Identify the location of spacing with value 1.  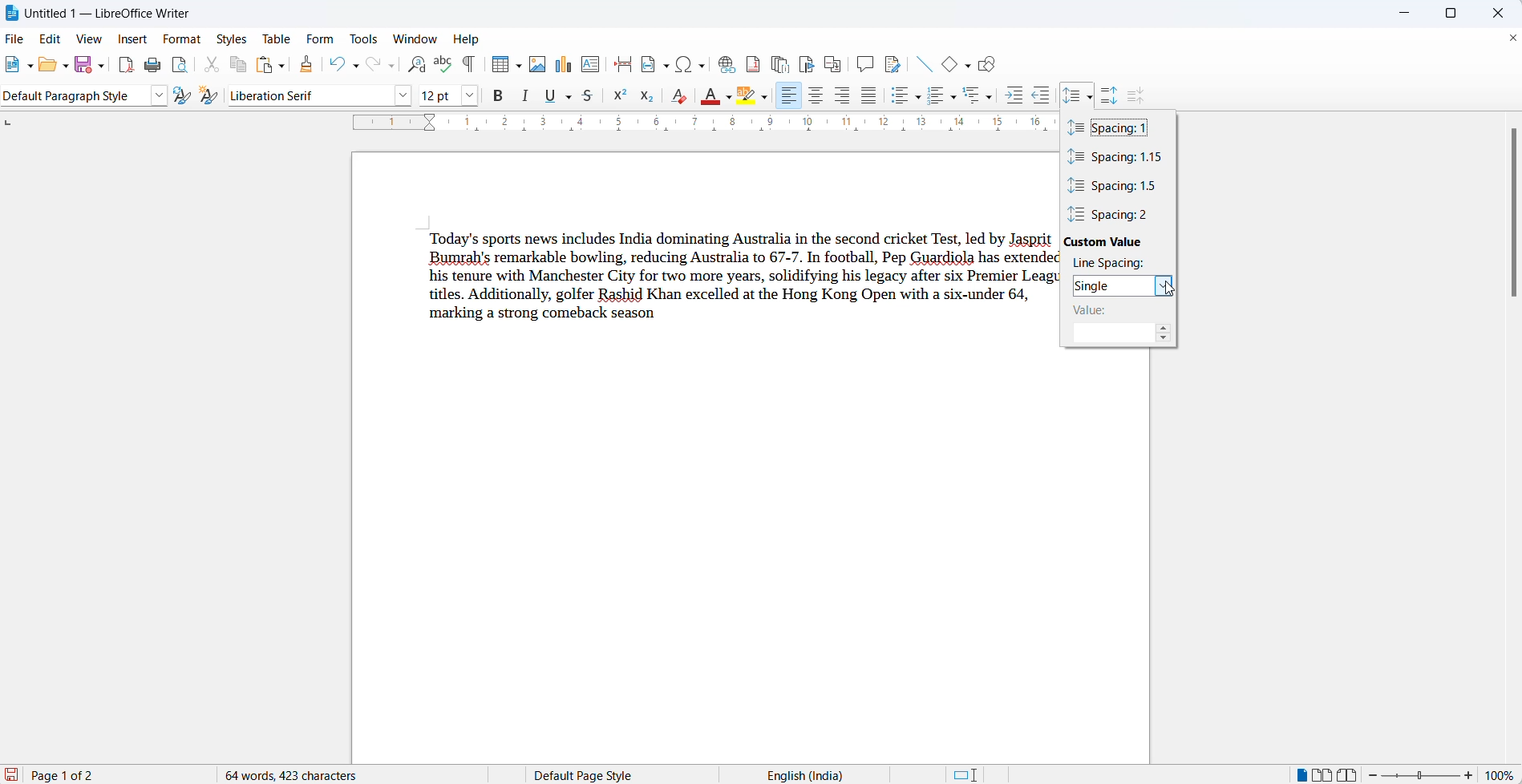
(1111, 128).